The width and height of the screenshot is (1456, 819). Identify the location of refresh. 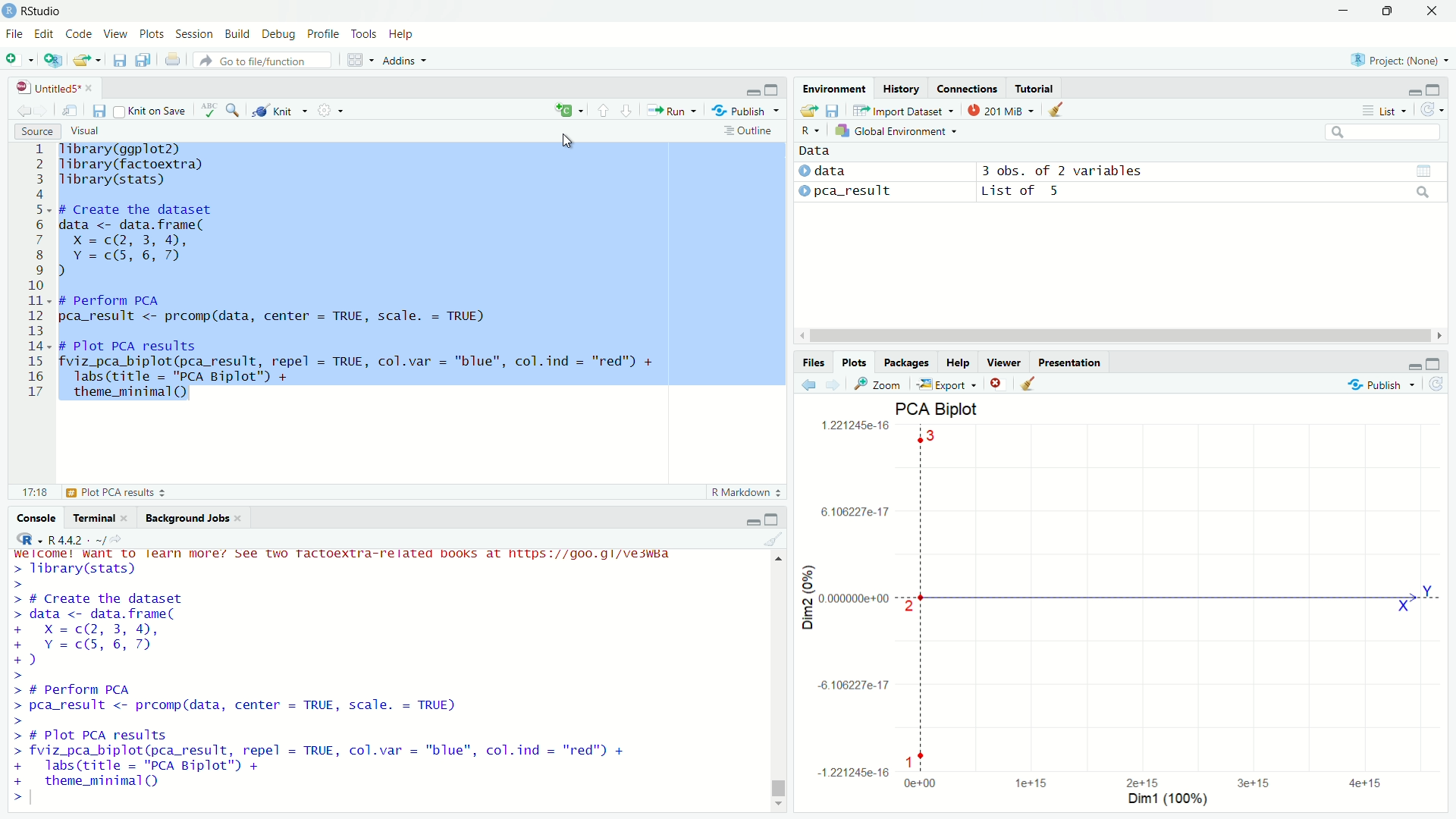
(1438, 384).